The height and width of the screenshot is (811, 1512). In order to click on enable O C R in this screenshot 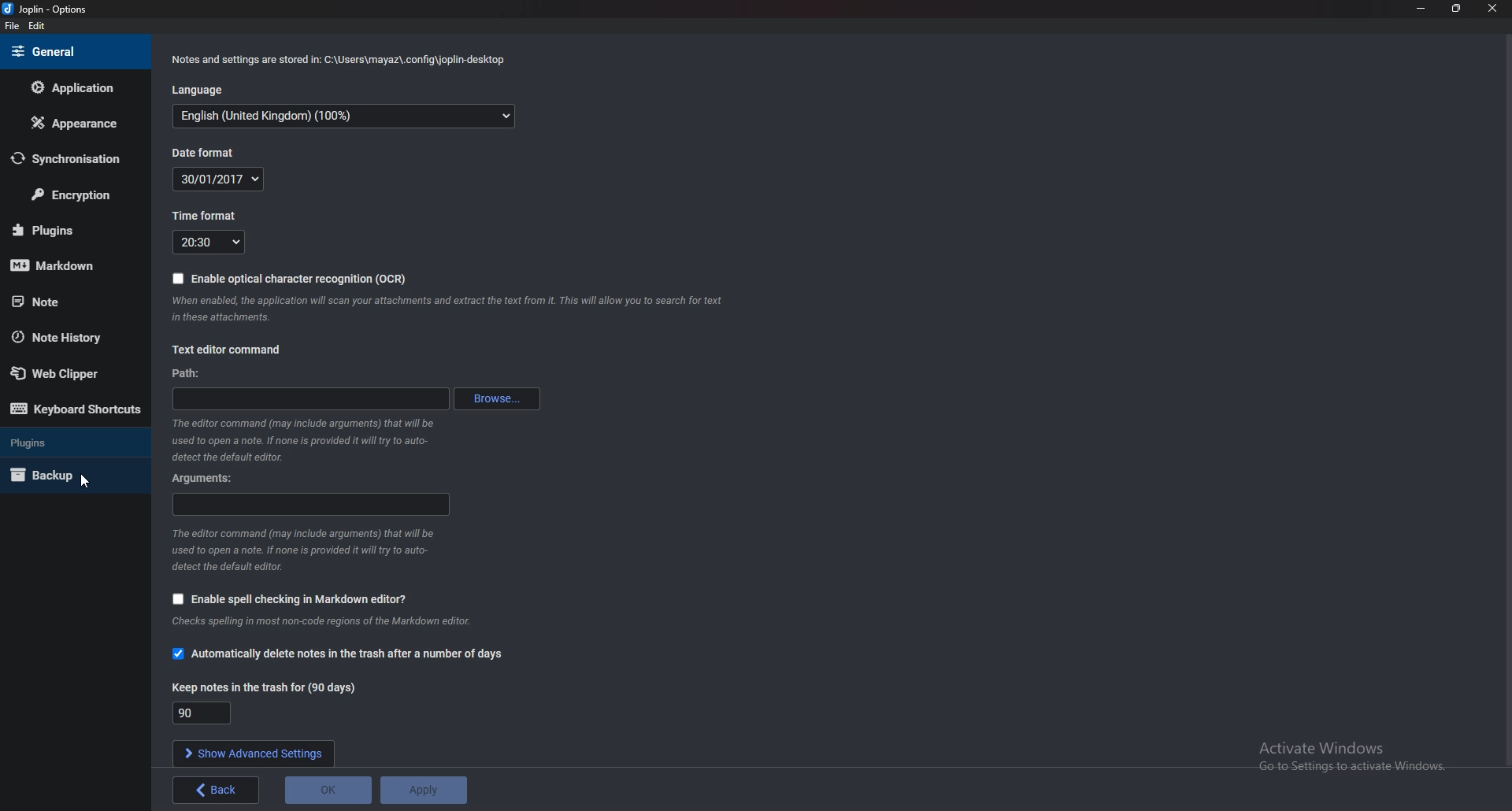, I will do `click(294, 279)`.